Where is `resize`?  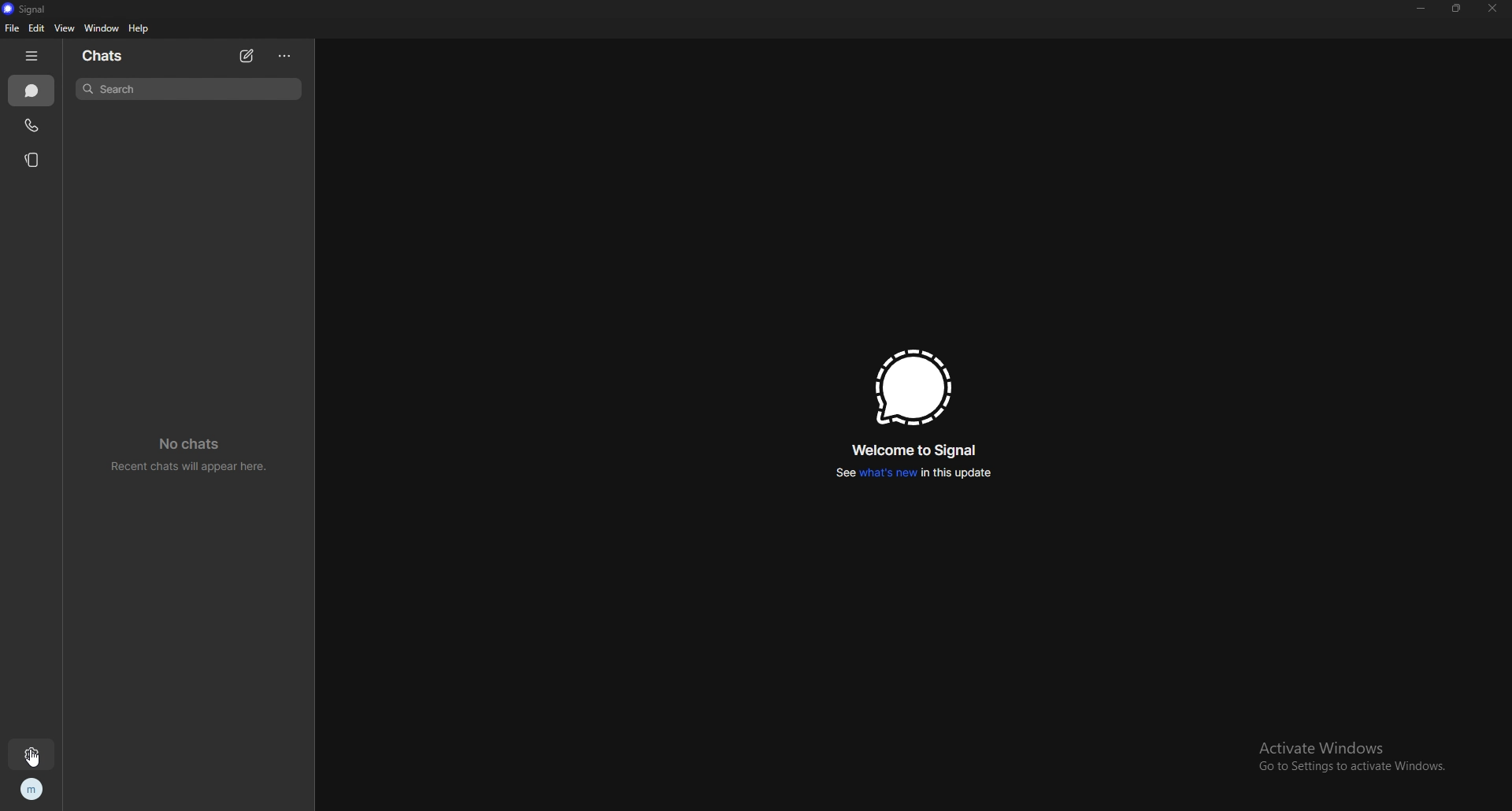
resize is located at coordinates (1455, 8).